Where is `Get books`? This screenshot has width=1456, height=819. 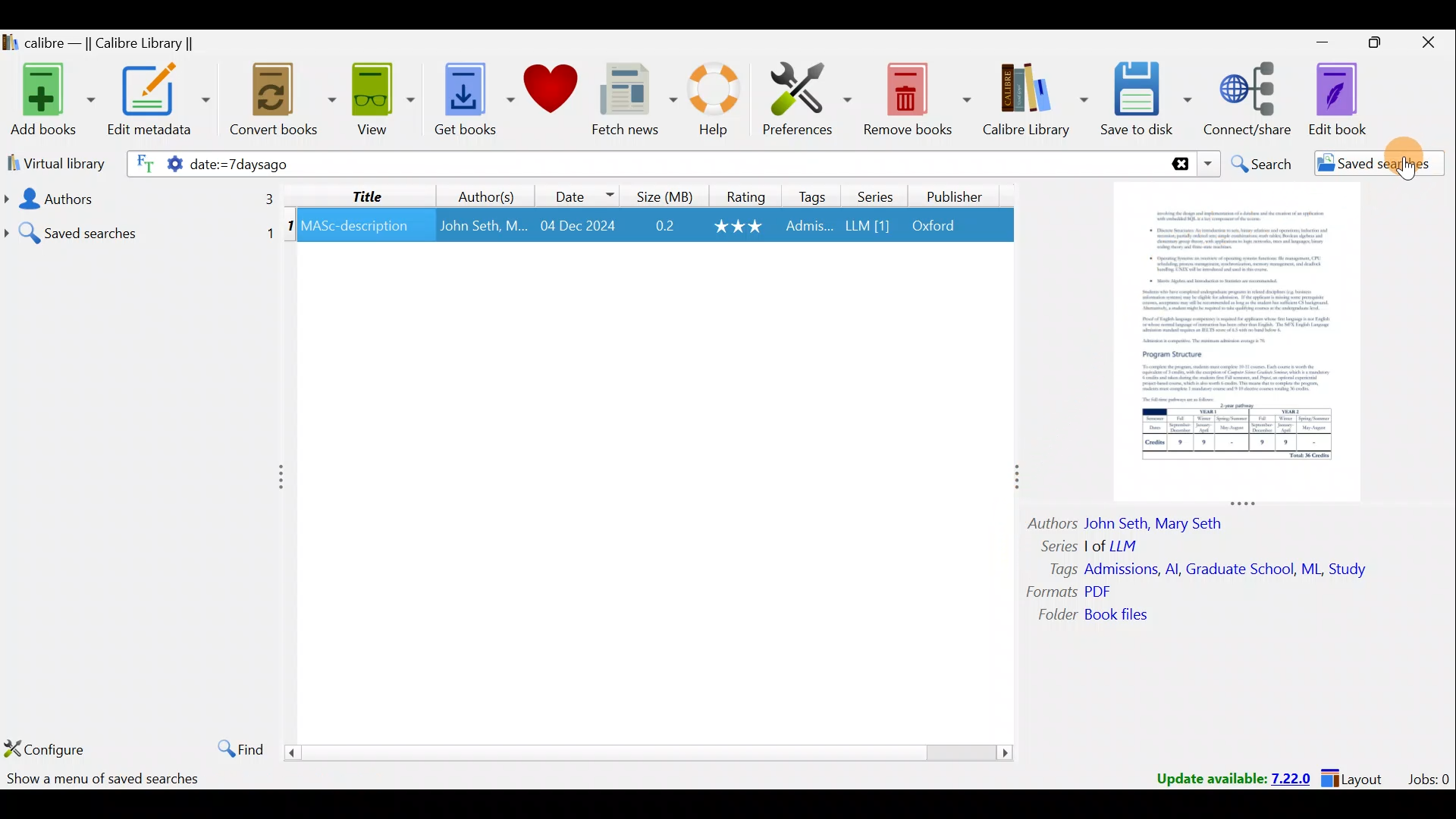
Get books is located at coordinates (468, 97).